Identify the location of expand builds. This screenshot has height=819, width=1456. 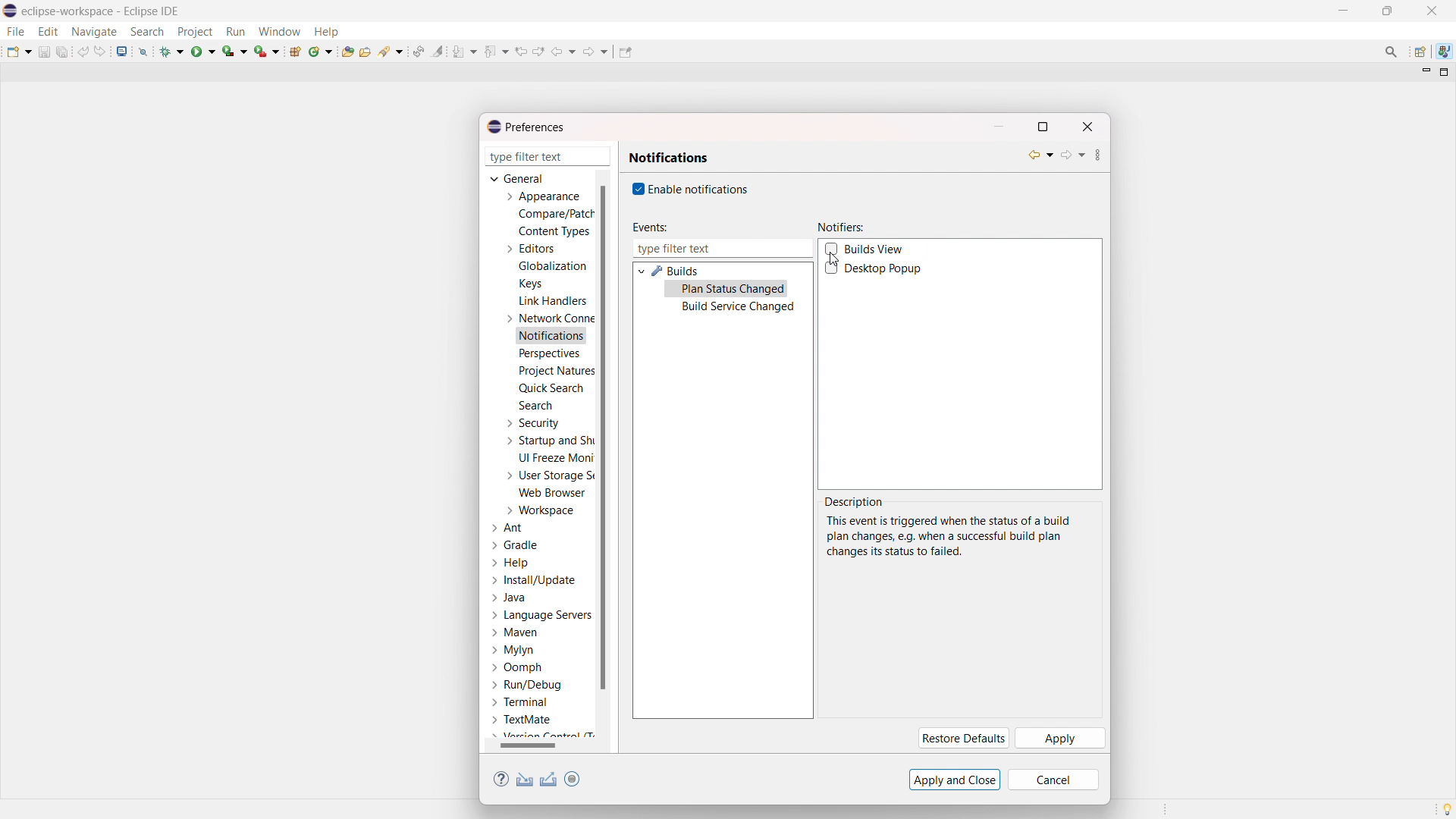
(641, 270).